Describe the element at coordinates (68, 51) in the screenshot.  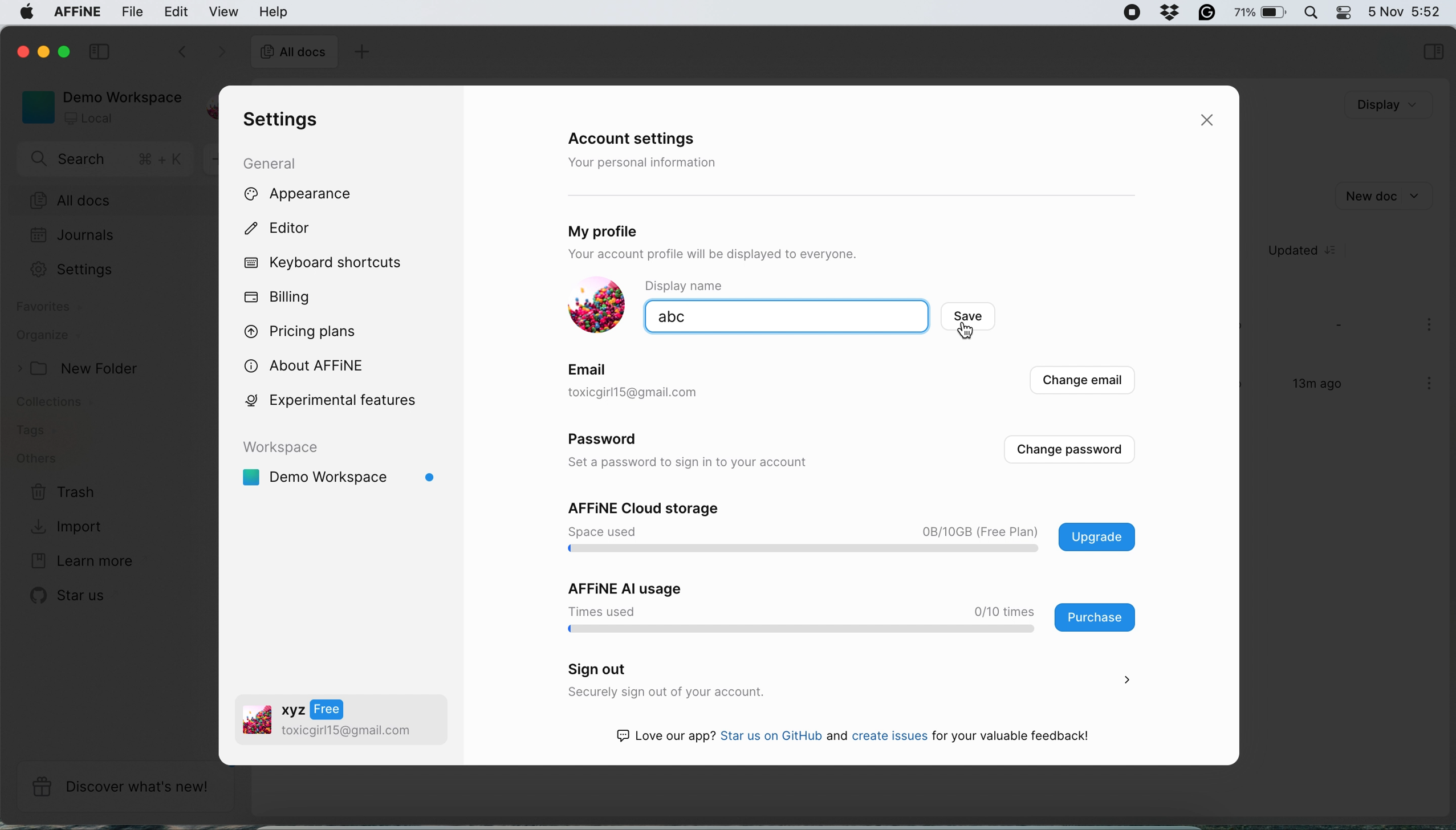
I see `maximise` at that location.